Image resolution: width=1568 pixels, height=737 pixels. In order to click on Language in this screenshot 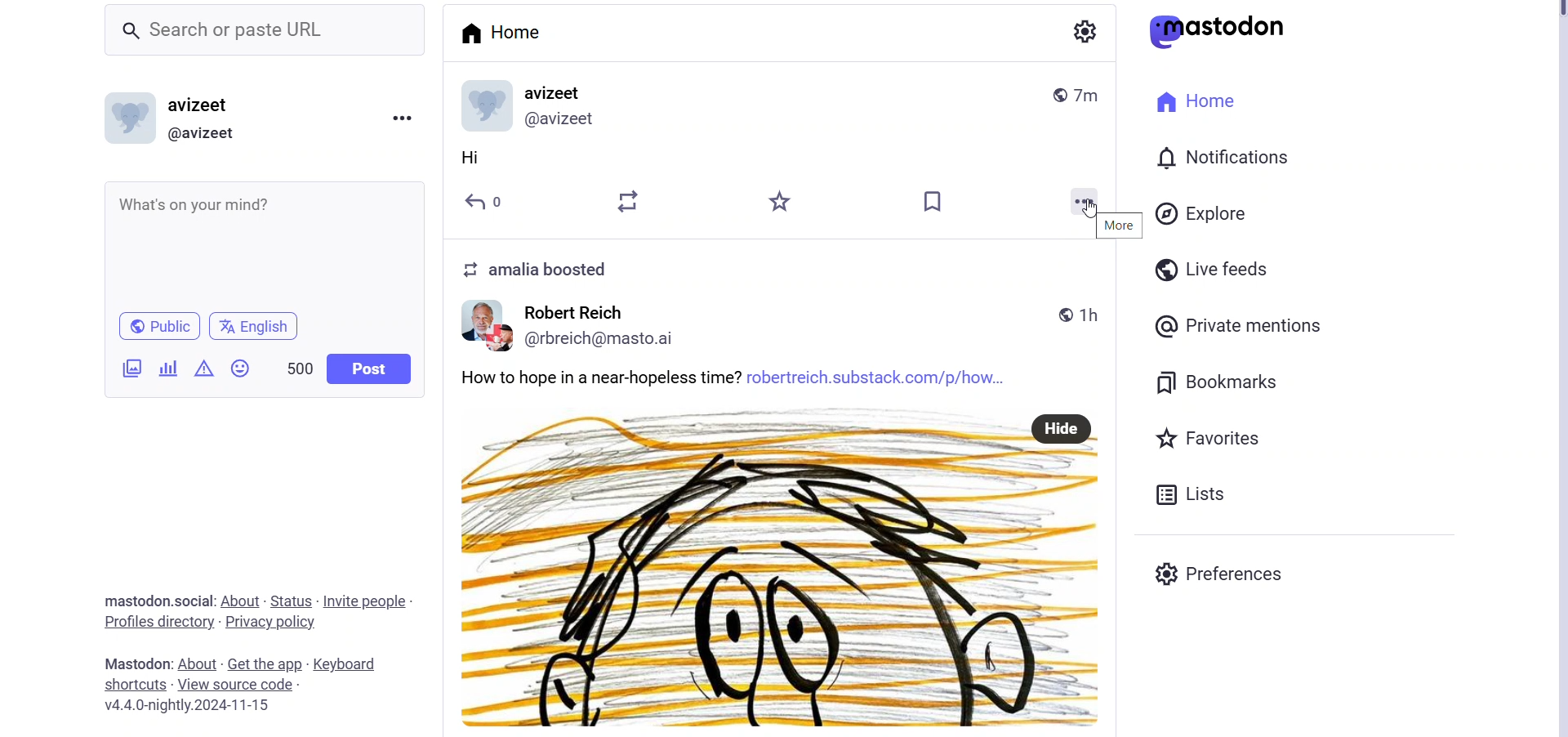, I will do `click(253, 325)`.